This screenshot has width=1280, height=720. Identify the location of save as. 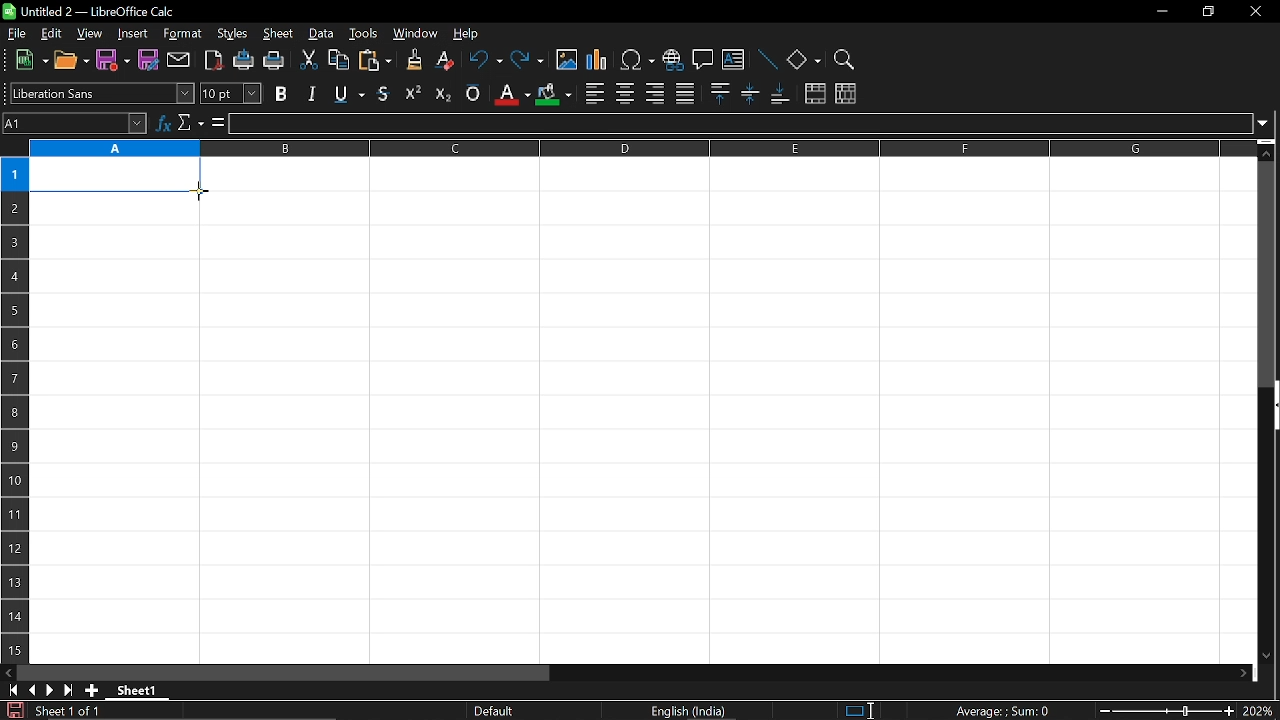
(148, 59).